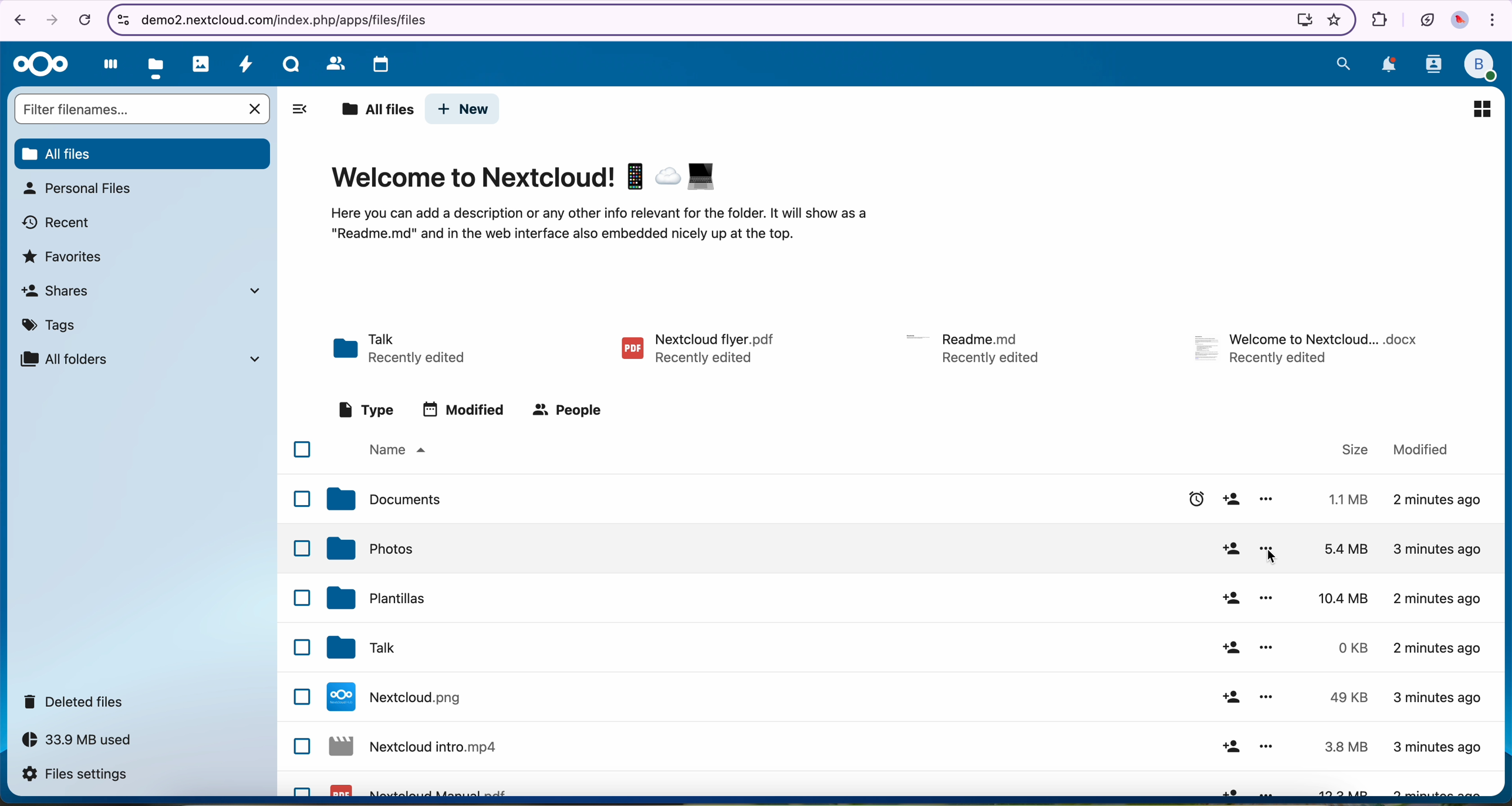 The height and width of the screenshot is (806, 1512). Describe the element at coordinates (1388, 66) in the screenshot. I see `notifications` at that location.